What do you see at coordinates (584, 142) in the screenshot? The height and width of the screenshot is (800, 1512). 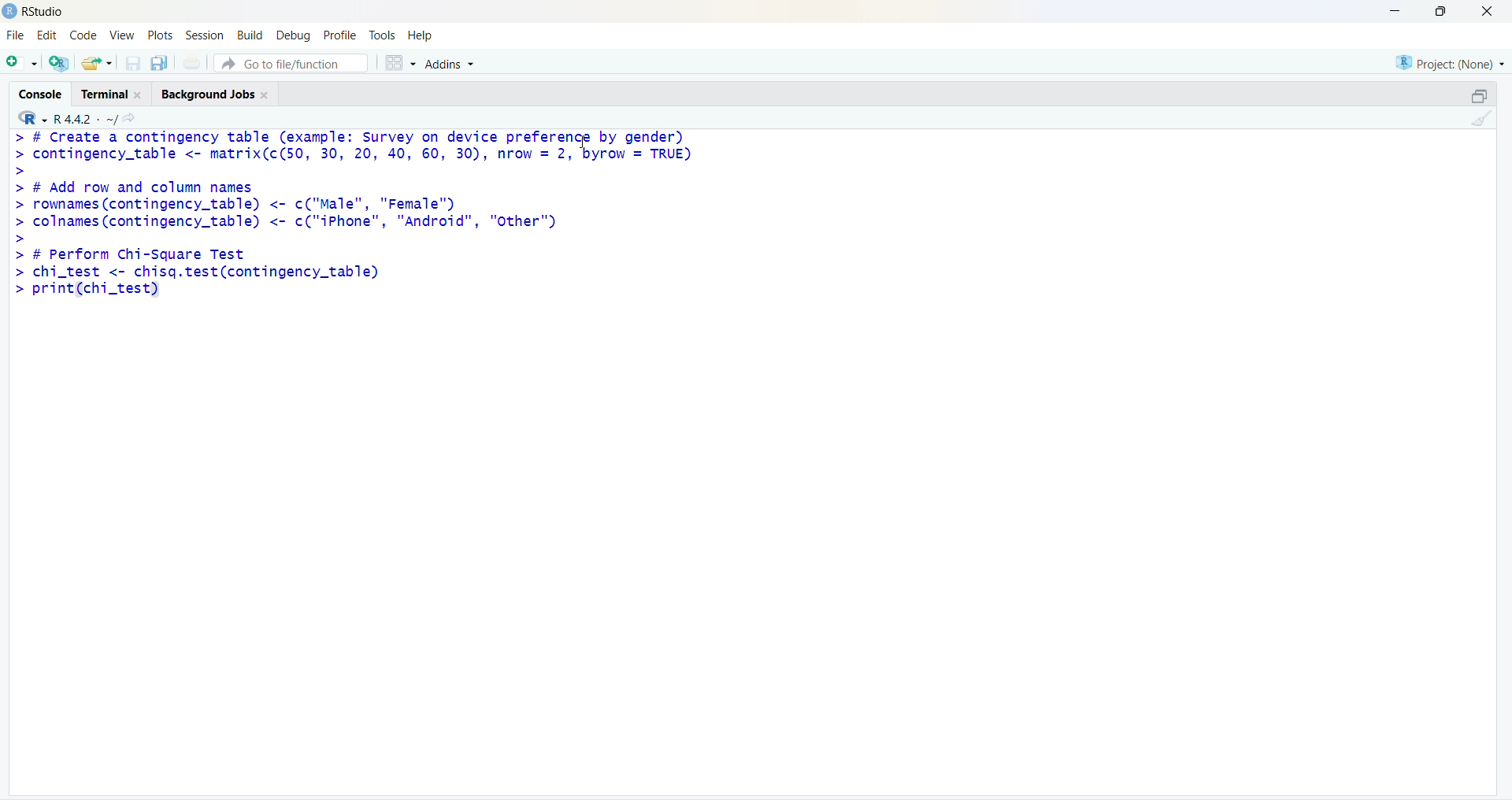 I see `cursor` at bounding box center [584, 142].